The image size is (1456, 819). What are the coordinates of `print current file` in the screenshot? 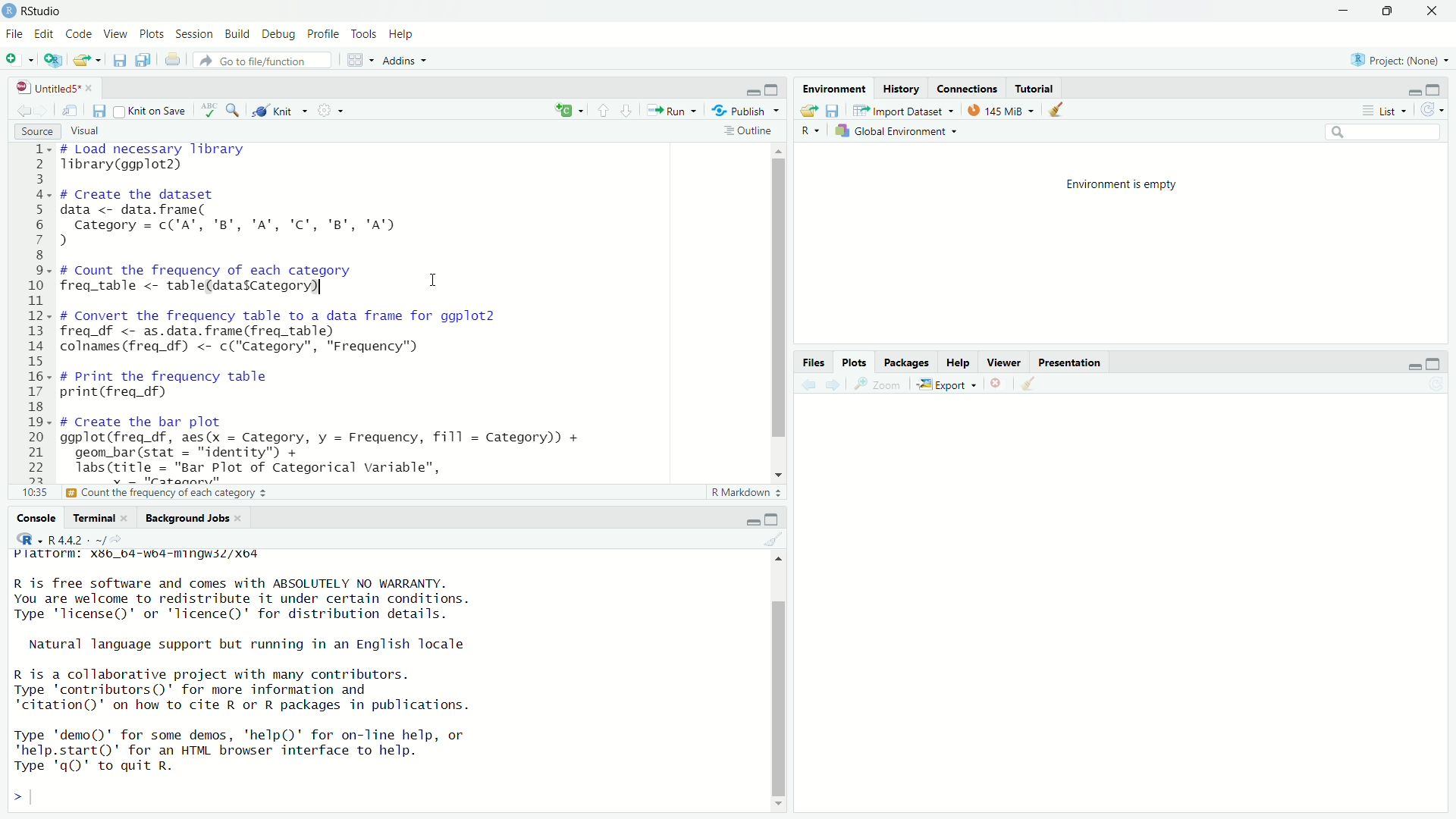 It's located at (175, 61).